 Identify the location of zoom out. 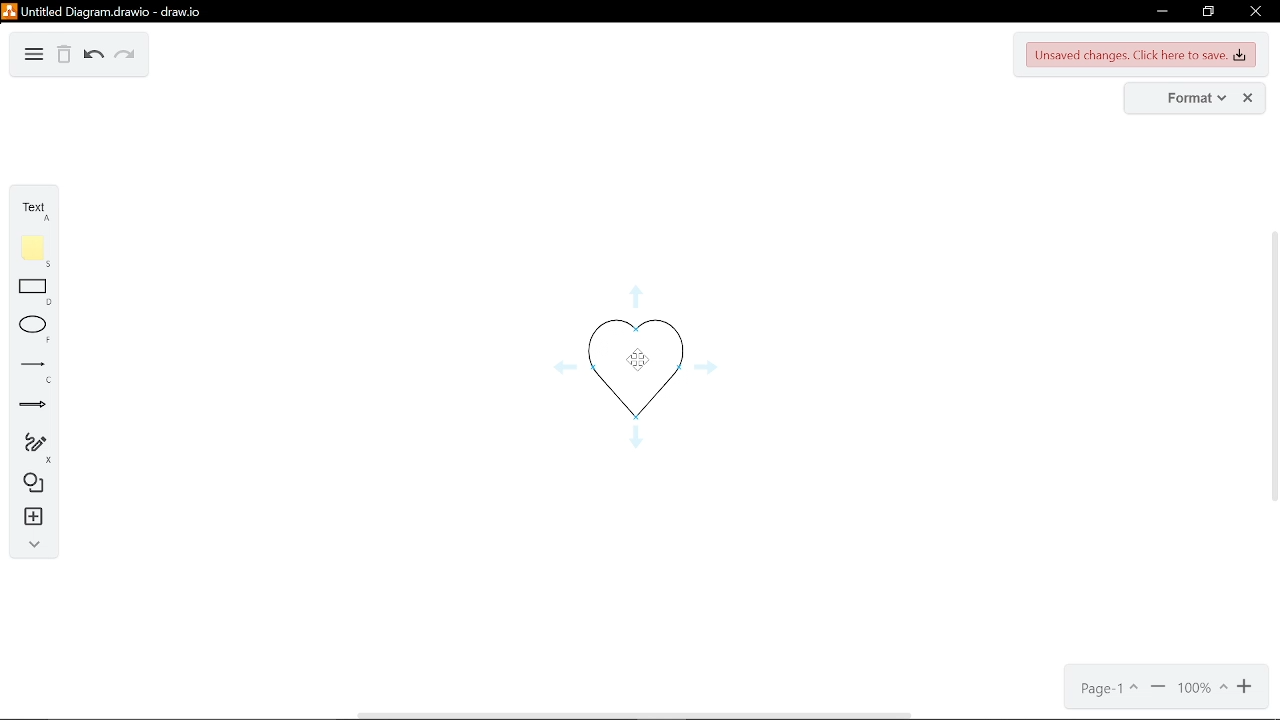
(1158, 688).